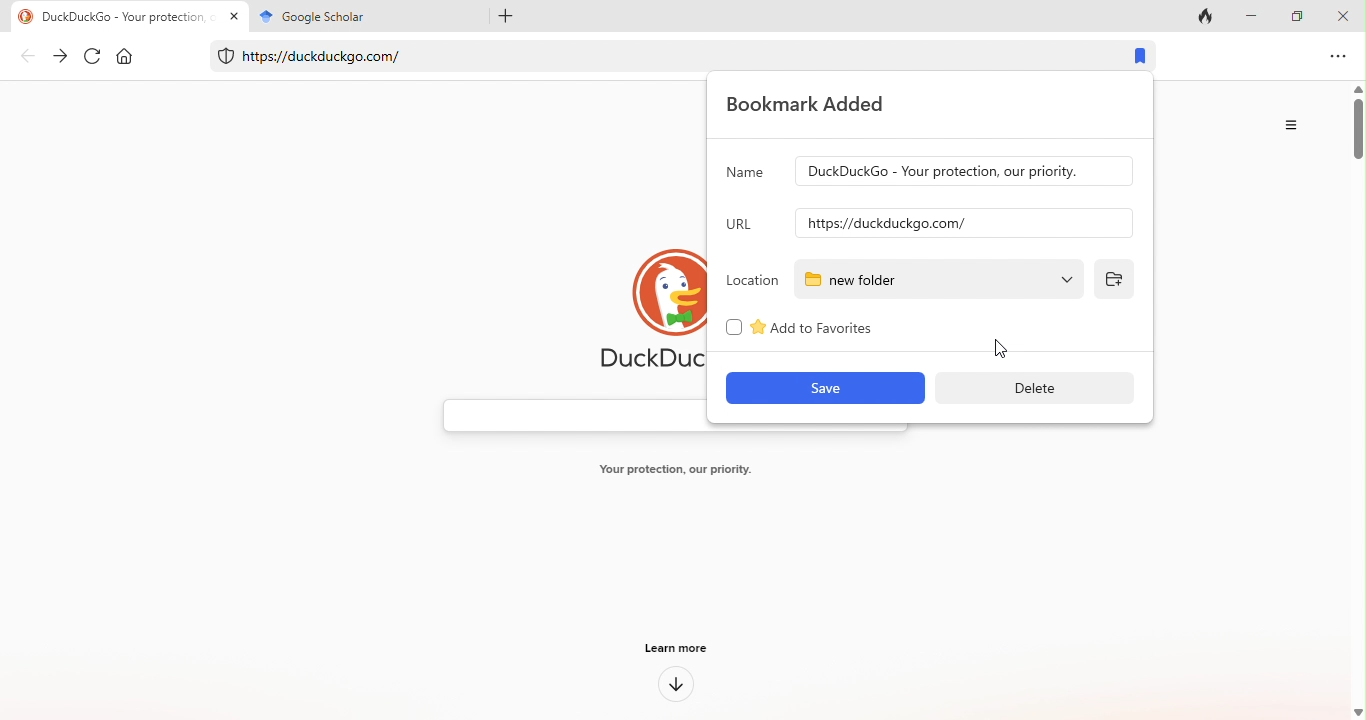 The width and height of the screenshot is (1366, 720). Describe the element at coordinates (676, 686) in the screenshot. I see `down arrow` at that location.